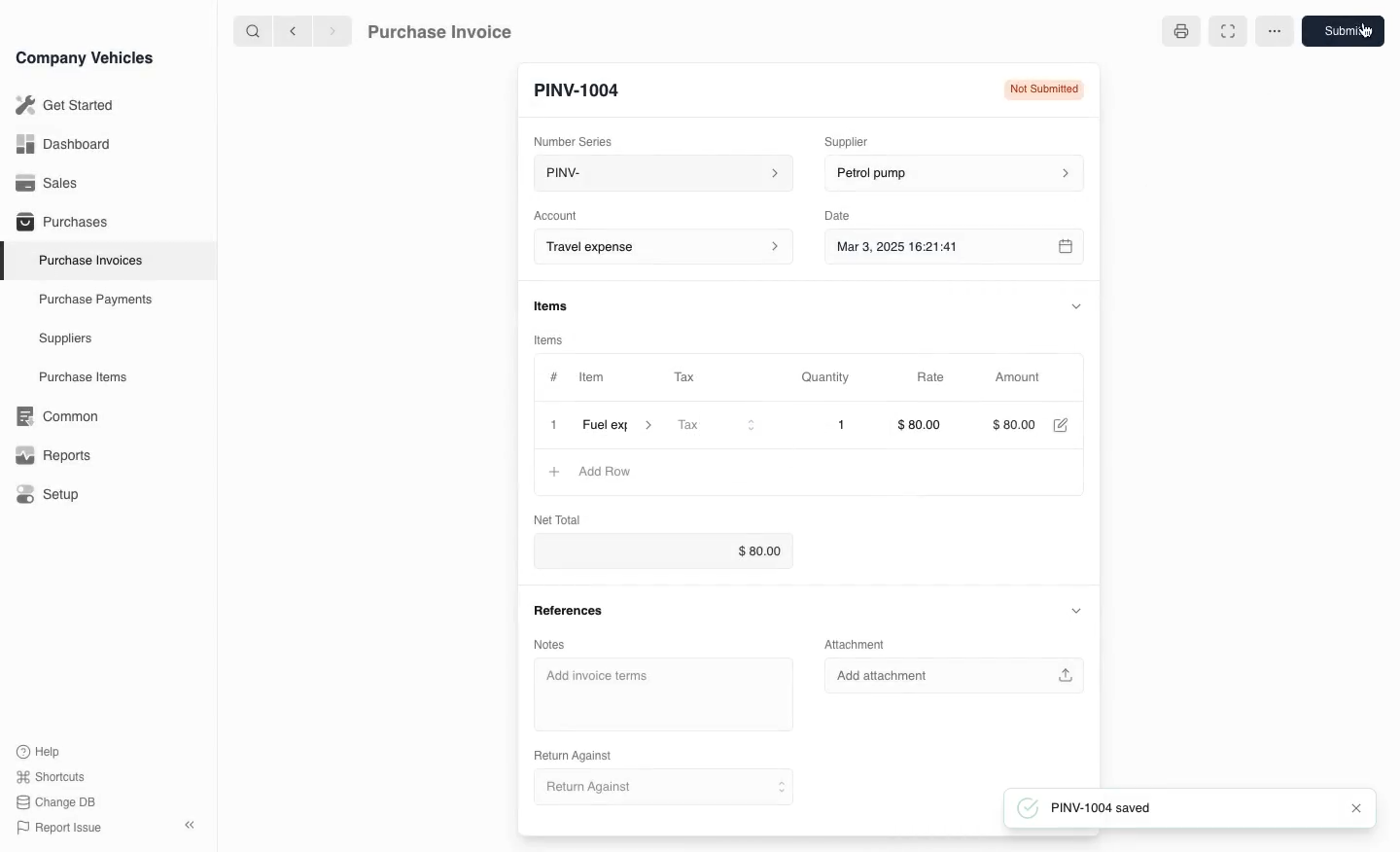  I want to click on Mar 3, 2025 16:21:41, so click(935, 248).